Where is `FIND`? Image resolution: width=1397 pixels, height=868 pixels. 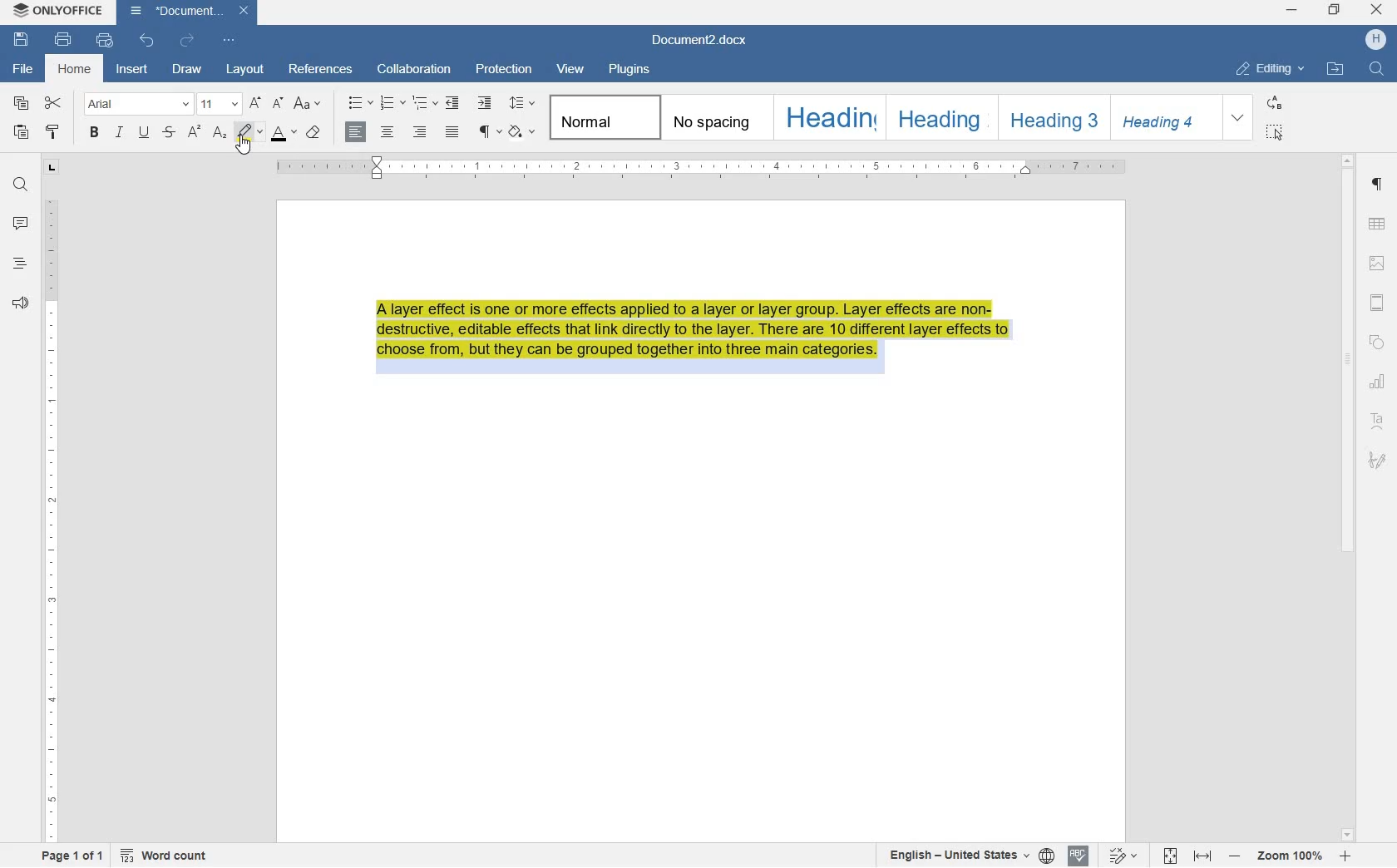
FIND is located at coordinates (19, 184).